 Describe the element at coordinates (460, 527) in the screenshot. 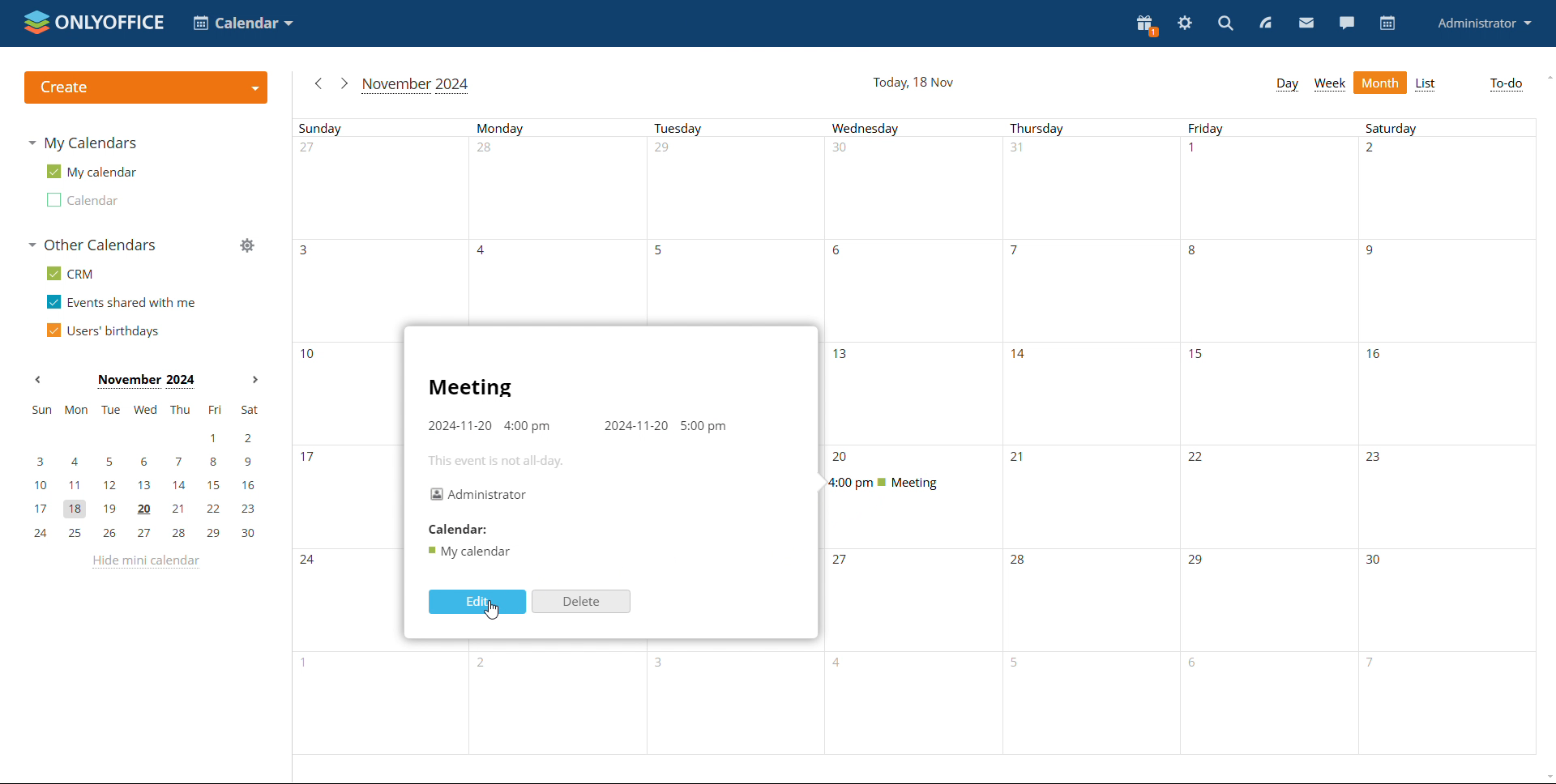

I see `calendar` at that location.